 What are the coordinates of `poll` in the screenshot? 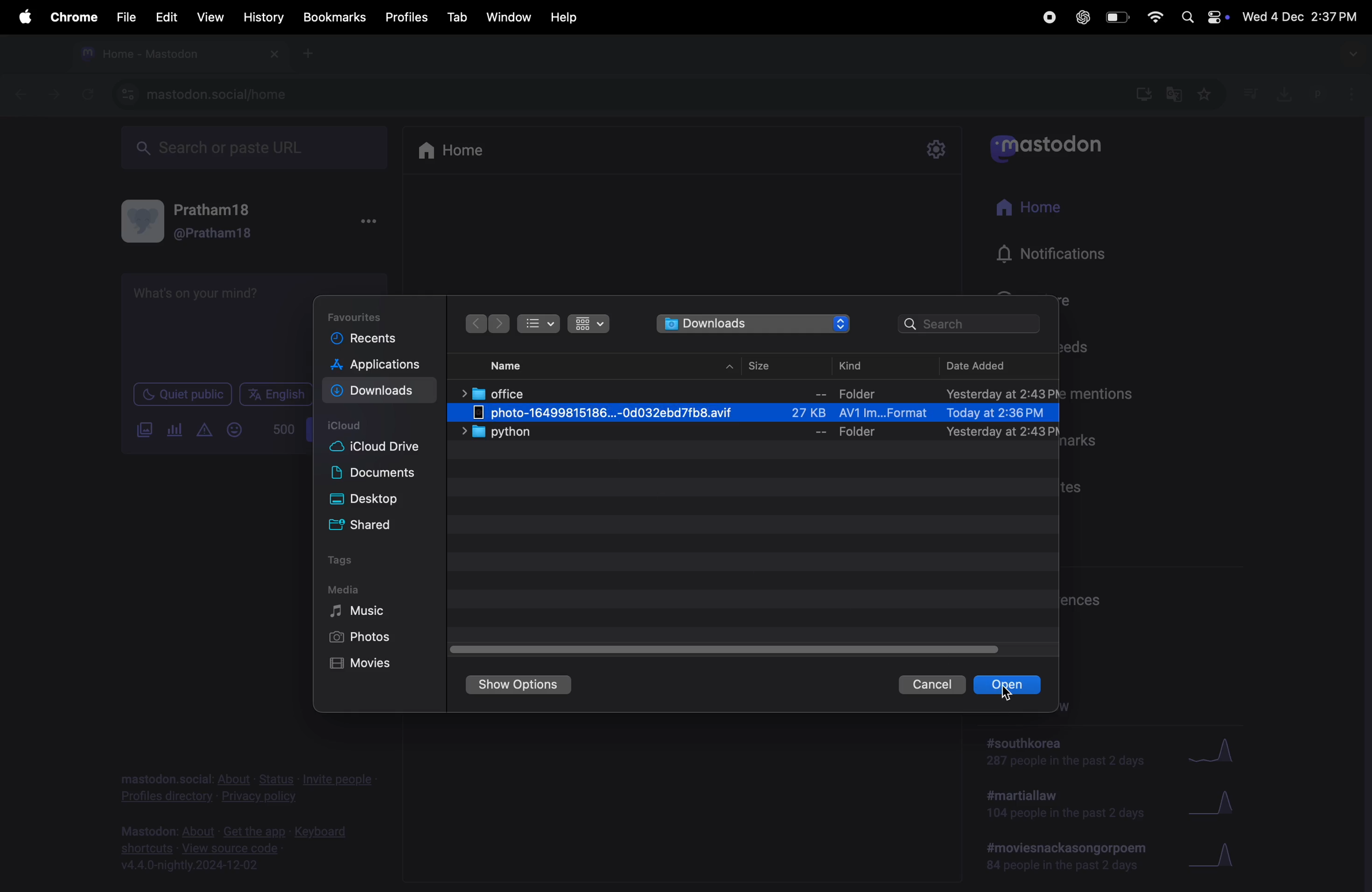 It's located at (175, 430).